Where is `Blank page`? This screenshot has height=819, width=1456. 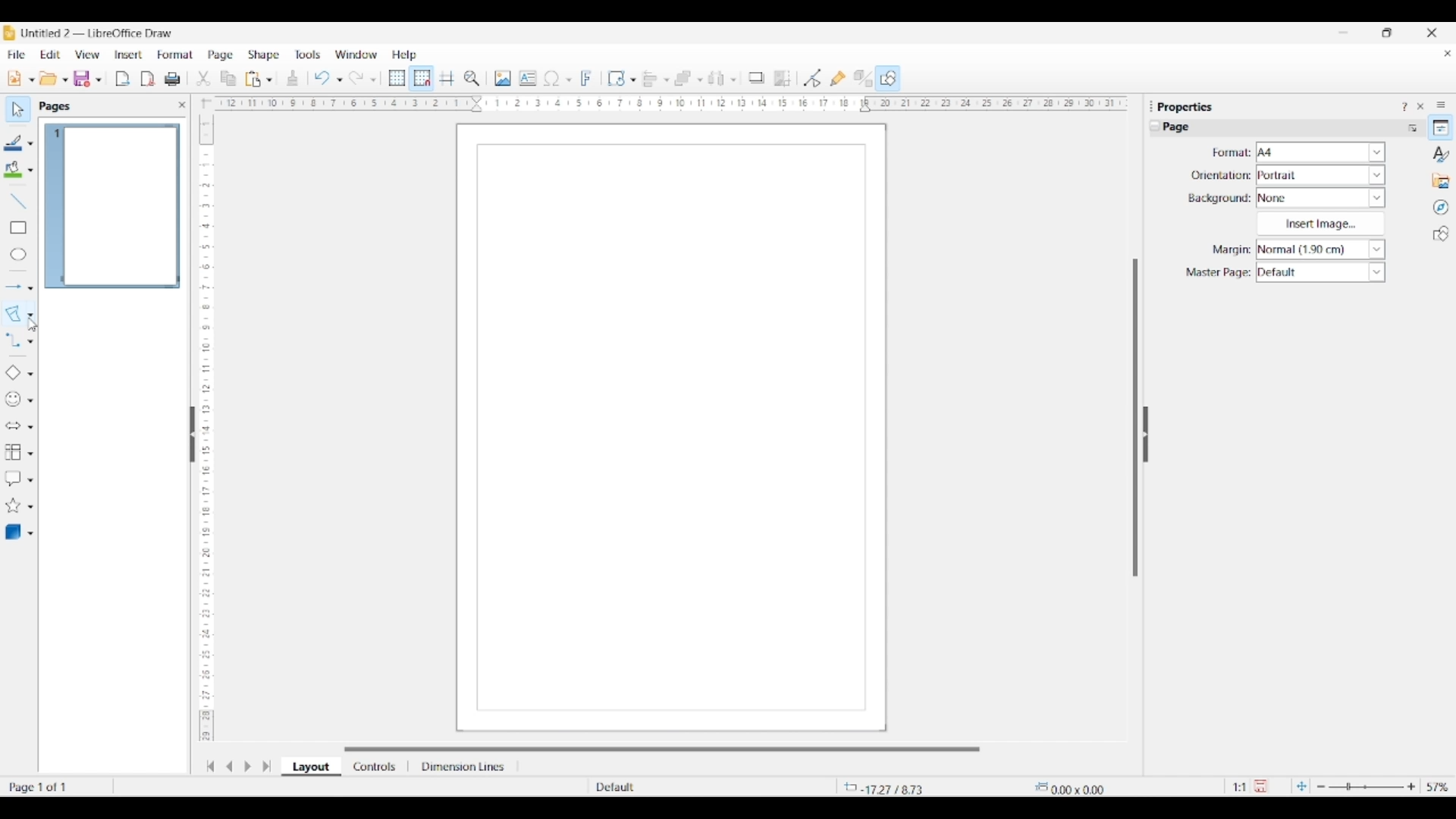
Blank page is located at coordinates (671, 428).